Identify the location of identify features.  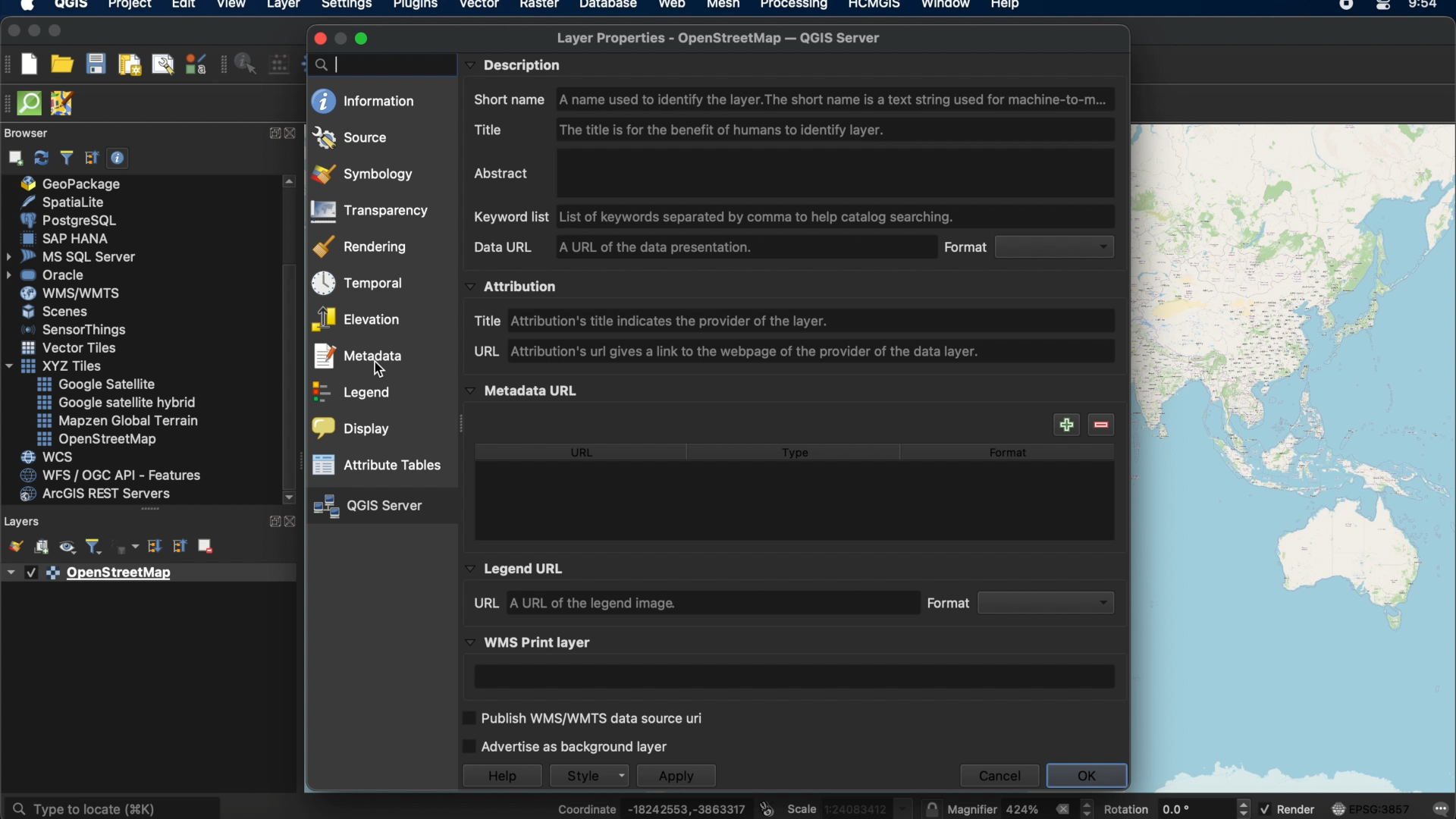
(248, 64).